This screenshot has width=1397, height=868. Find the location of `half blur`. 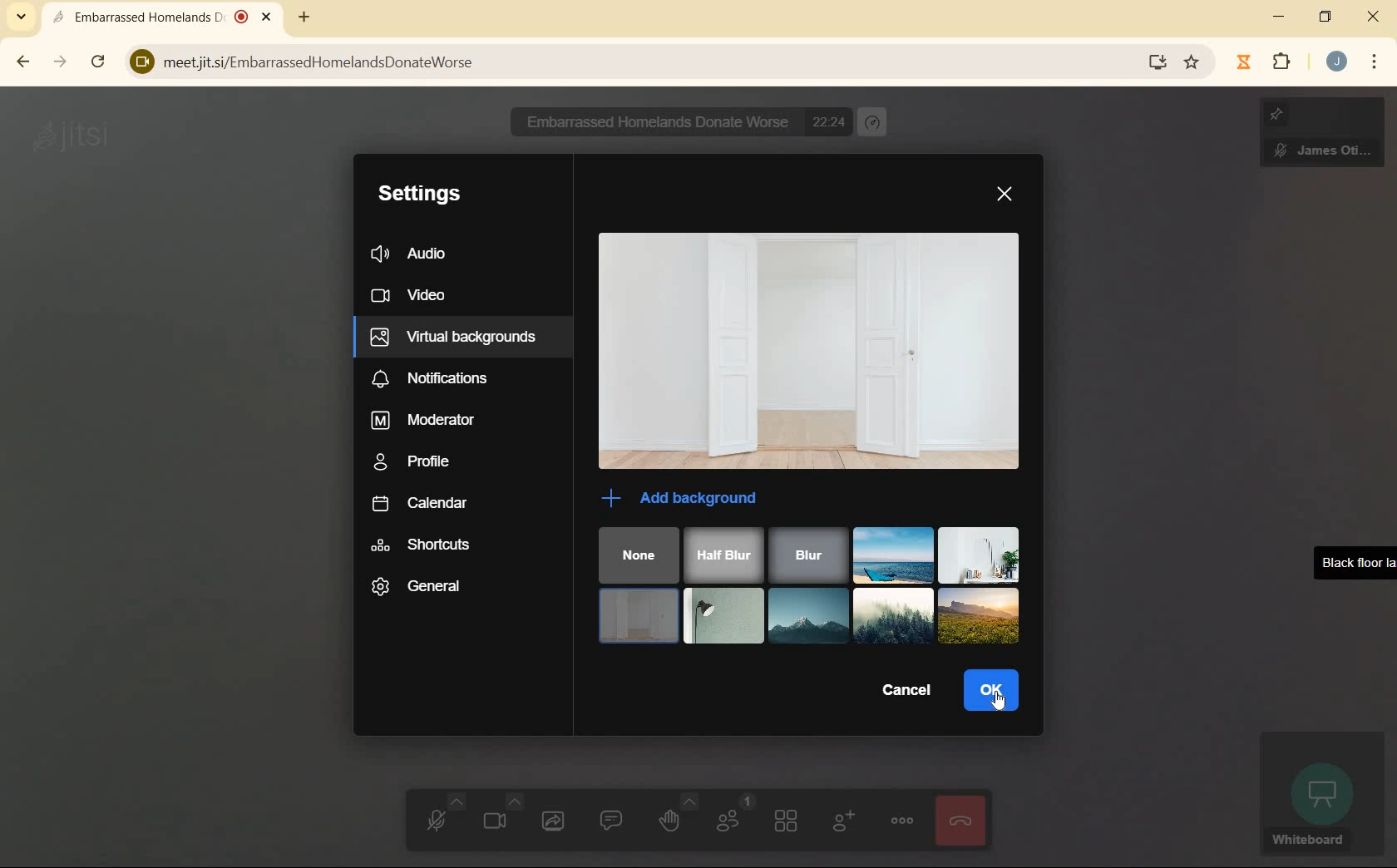

half blur is located at coordinates (723, 553).